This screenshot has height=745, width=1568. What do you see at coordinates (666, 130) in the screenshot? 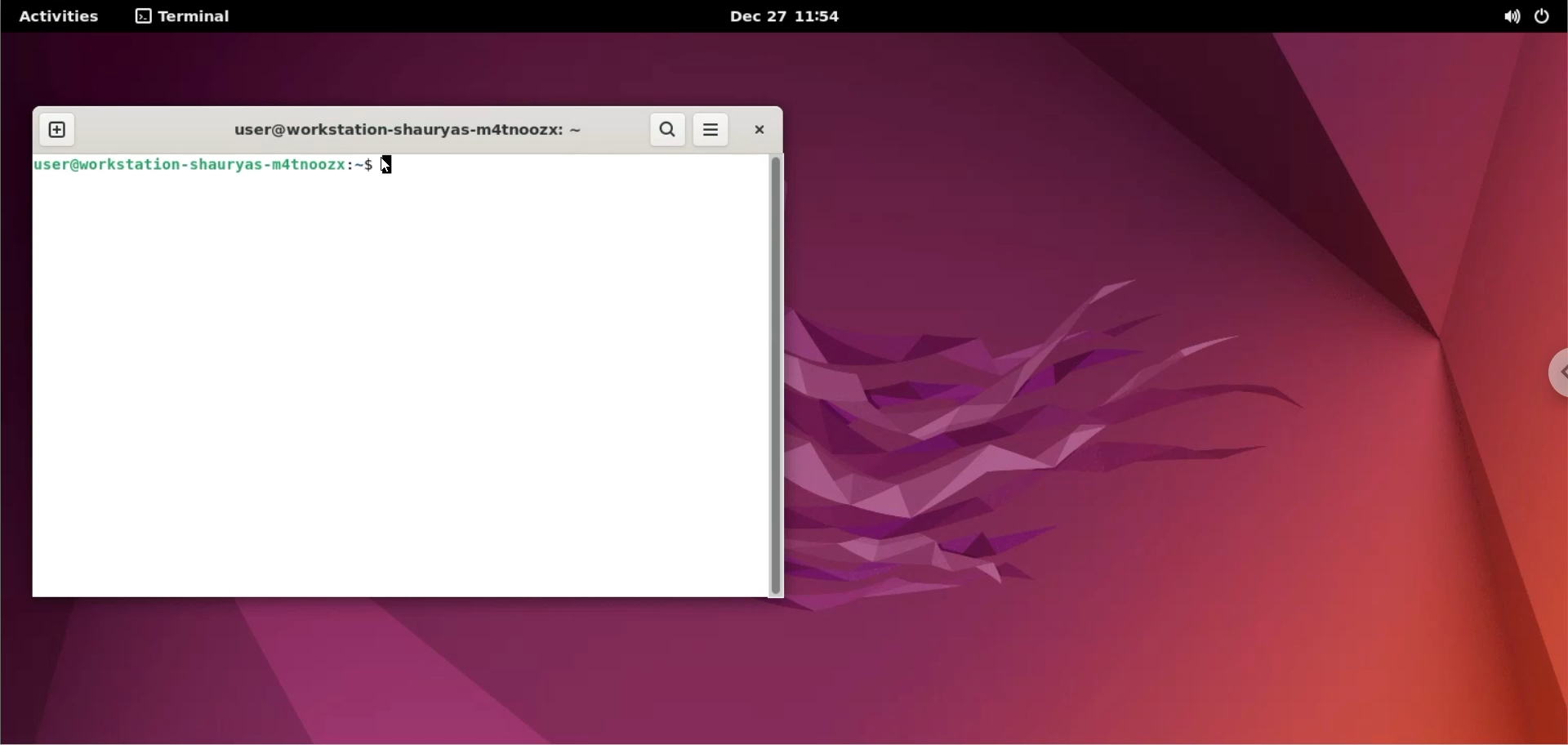
I see `search` at bounding box center [666, 130].